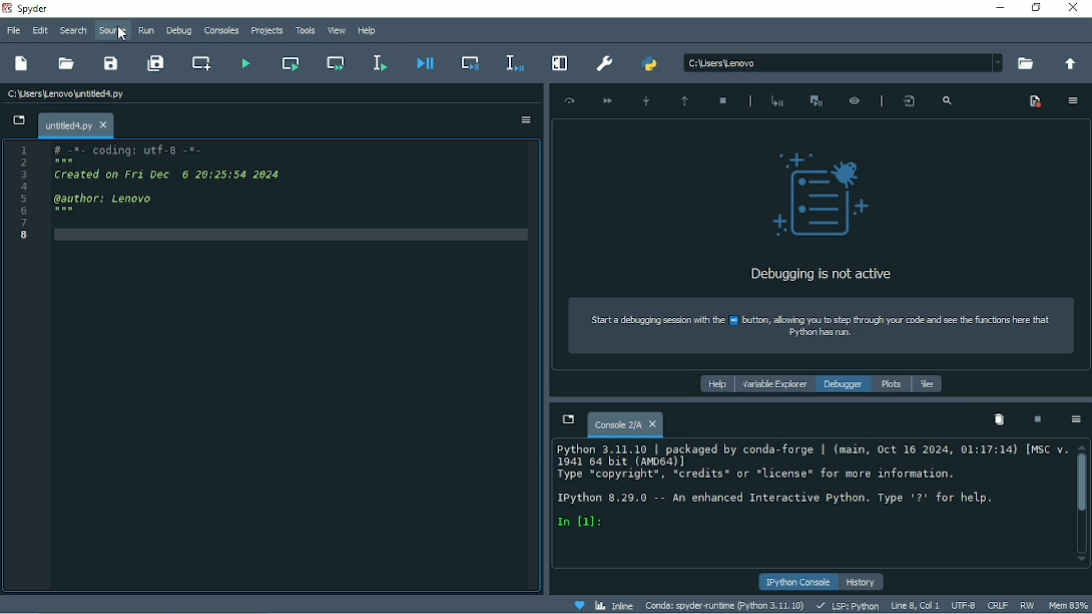  Describe the element at coordinates (65, 93) in the screenshot. I see `File name` at that location.